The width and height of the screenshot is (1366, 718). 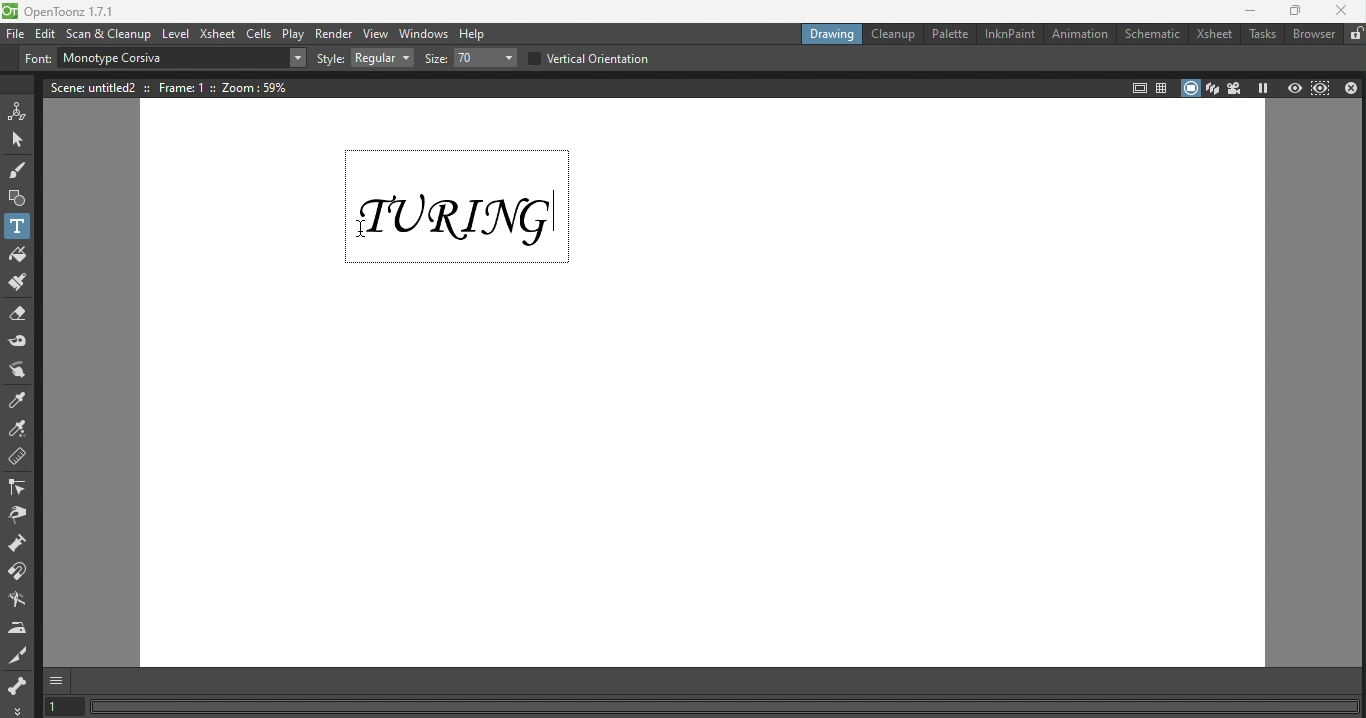 I want to click on Text box, so click(x=165, y=61).